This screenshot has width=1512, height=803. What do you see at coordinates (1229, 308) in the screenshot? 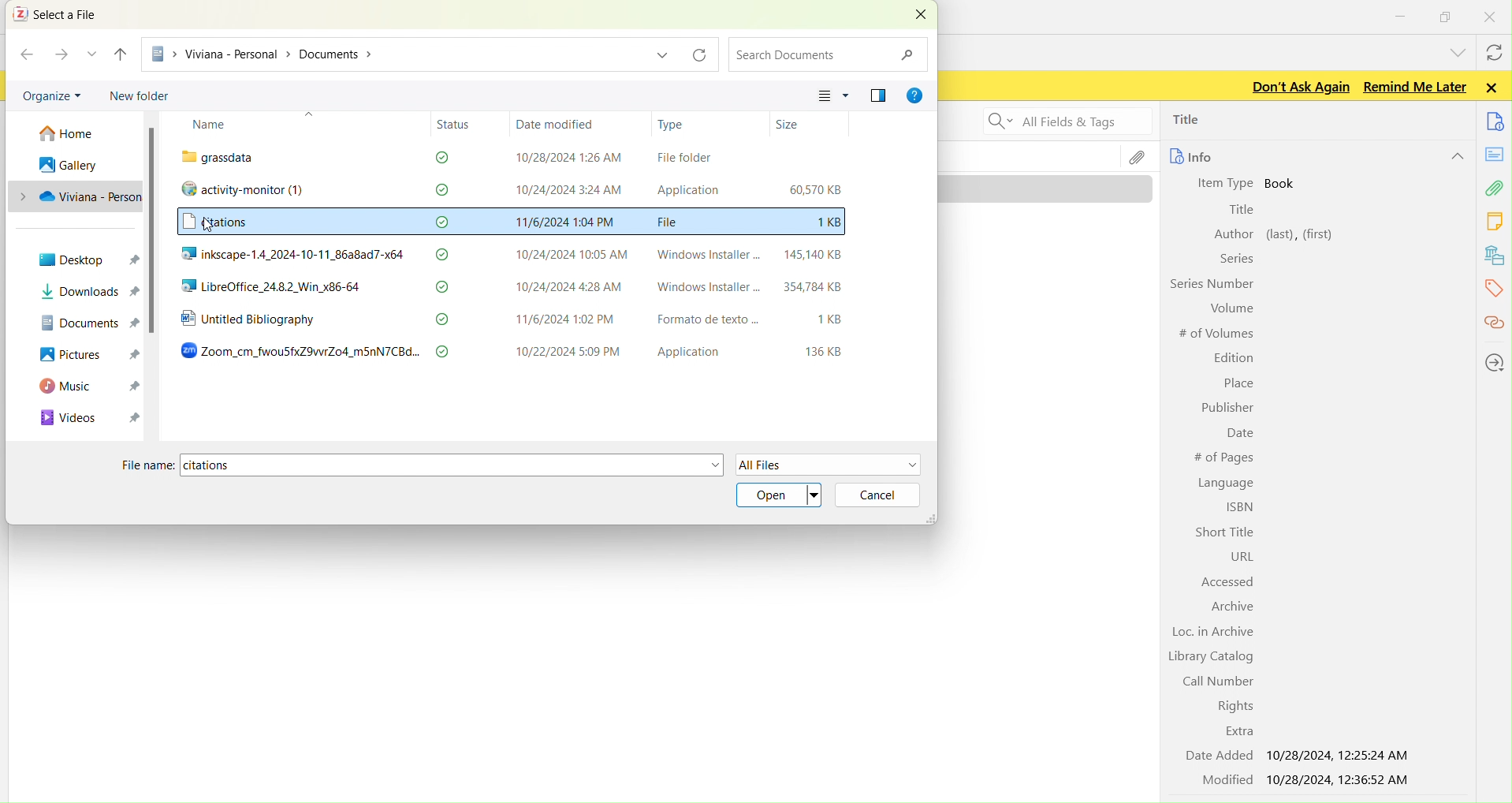
I see `Volume` at bounding box center [1229, 308].